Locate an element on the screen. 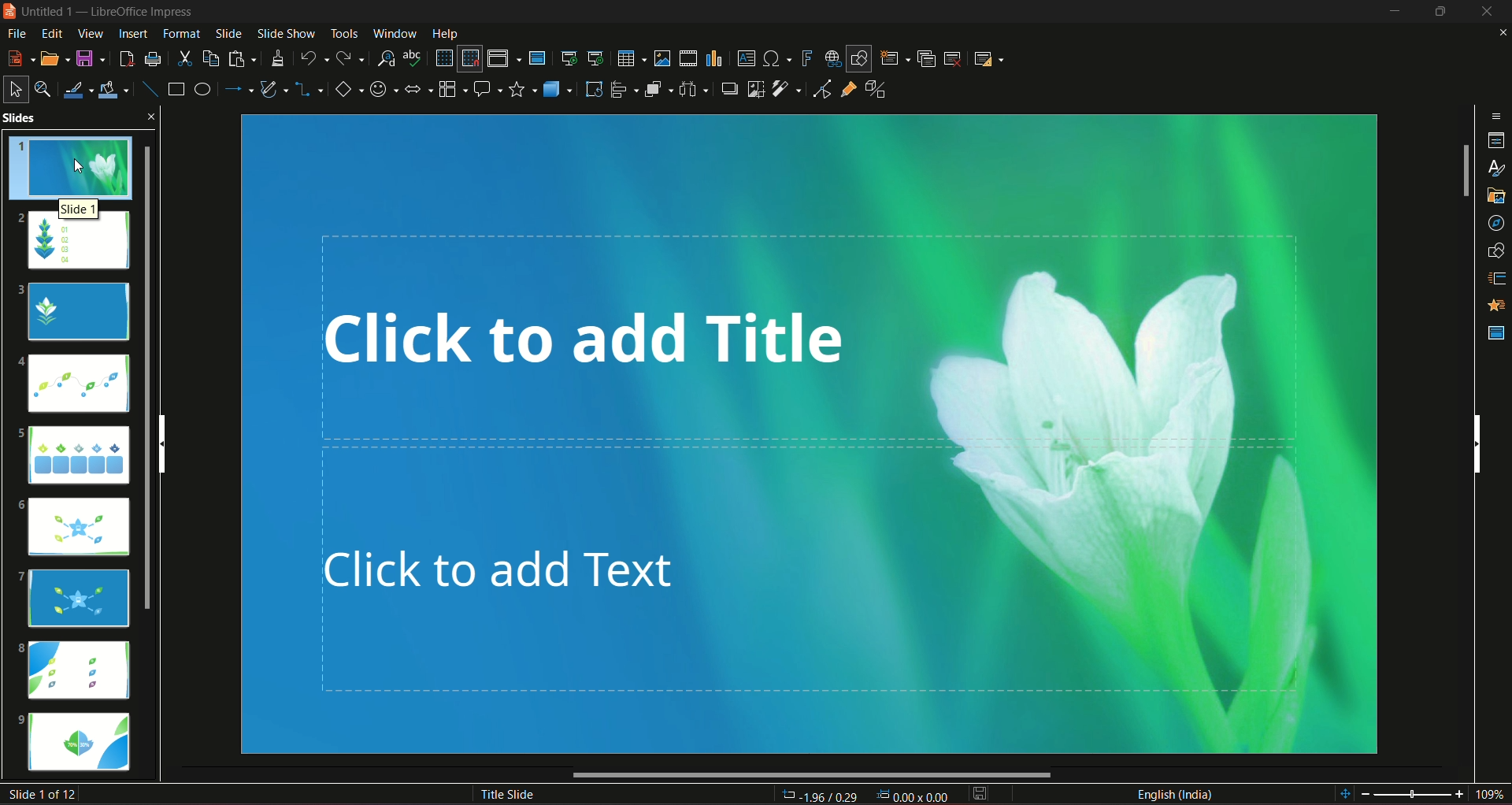 The image size is (1512, 805). animation is located at coordinates (1492, 306).